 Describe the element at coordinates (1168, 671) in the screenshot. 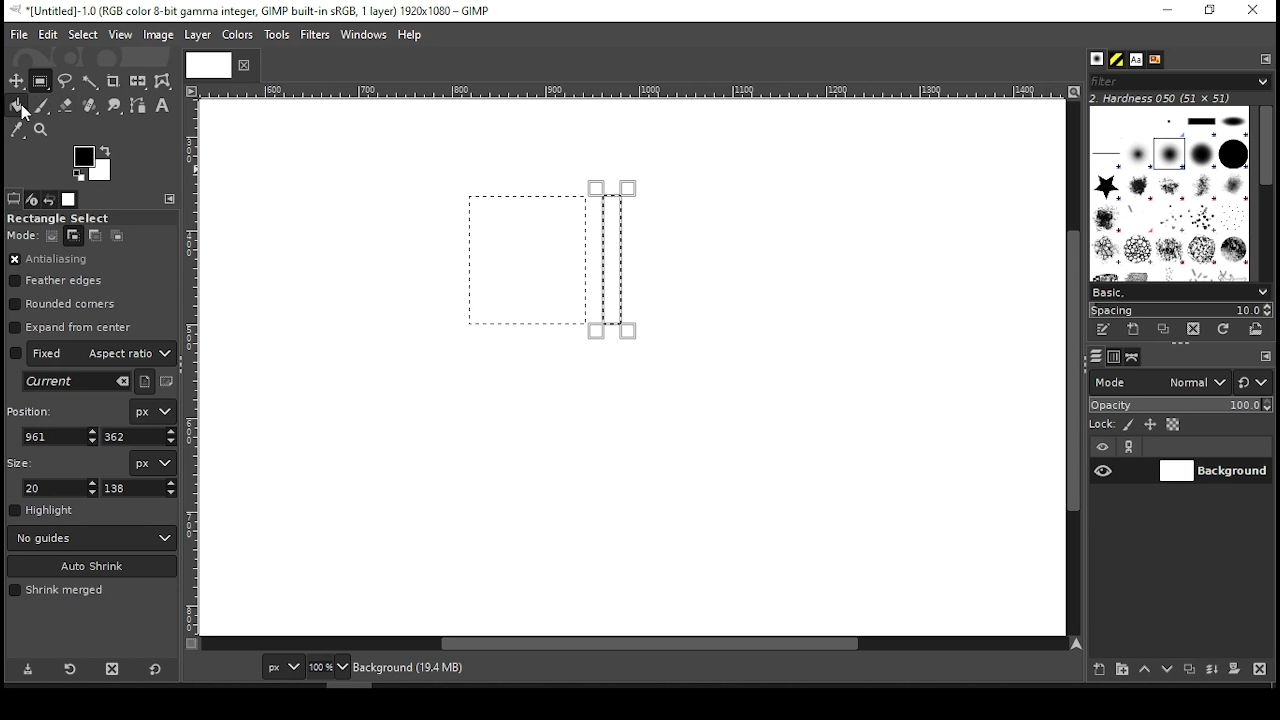

I see `move layer one step down` at that location.